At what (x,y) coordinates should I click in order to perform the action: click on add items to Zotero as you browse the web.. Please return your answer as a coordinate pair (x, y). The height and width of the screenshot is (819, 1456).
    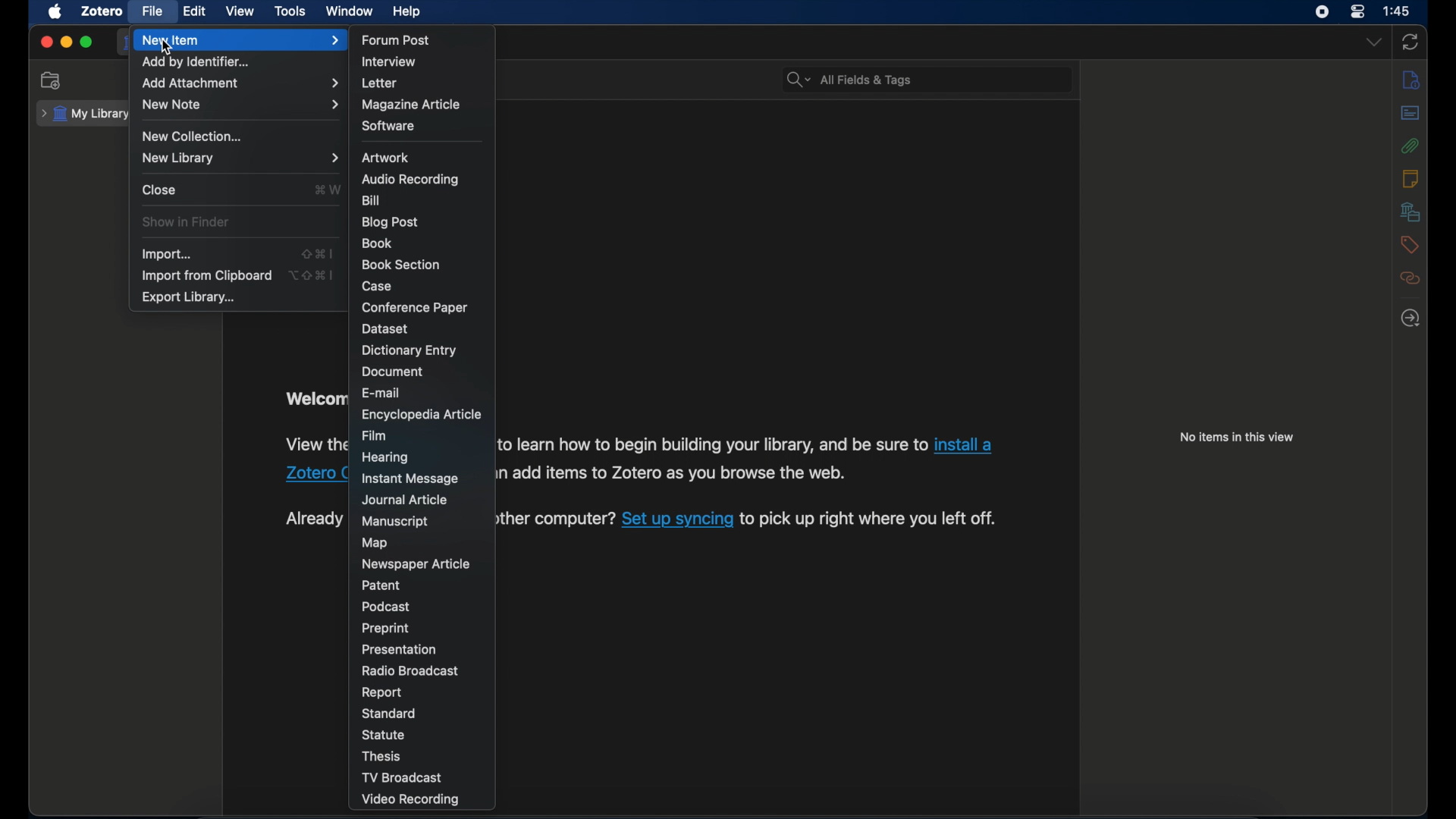
    Looking at the image, I should click on (682, 473).